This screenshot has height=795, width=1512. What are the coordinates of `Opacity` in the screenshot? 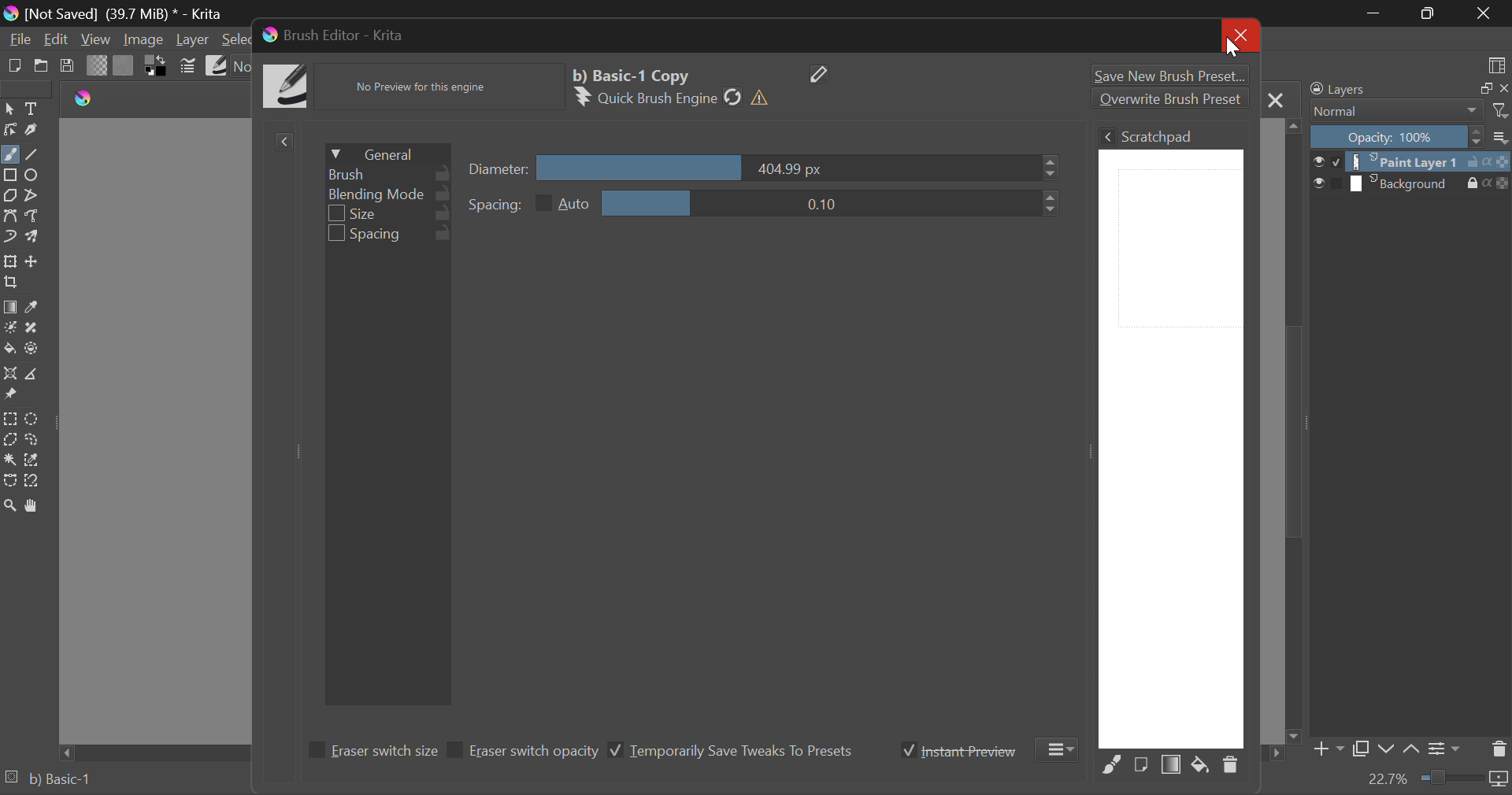 It's located at (1410, 138).